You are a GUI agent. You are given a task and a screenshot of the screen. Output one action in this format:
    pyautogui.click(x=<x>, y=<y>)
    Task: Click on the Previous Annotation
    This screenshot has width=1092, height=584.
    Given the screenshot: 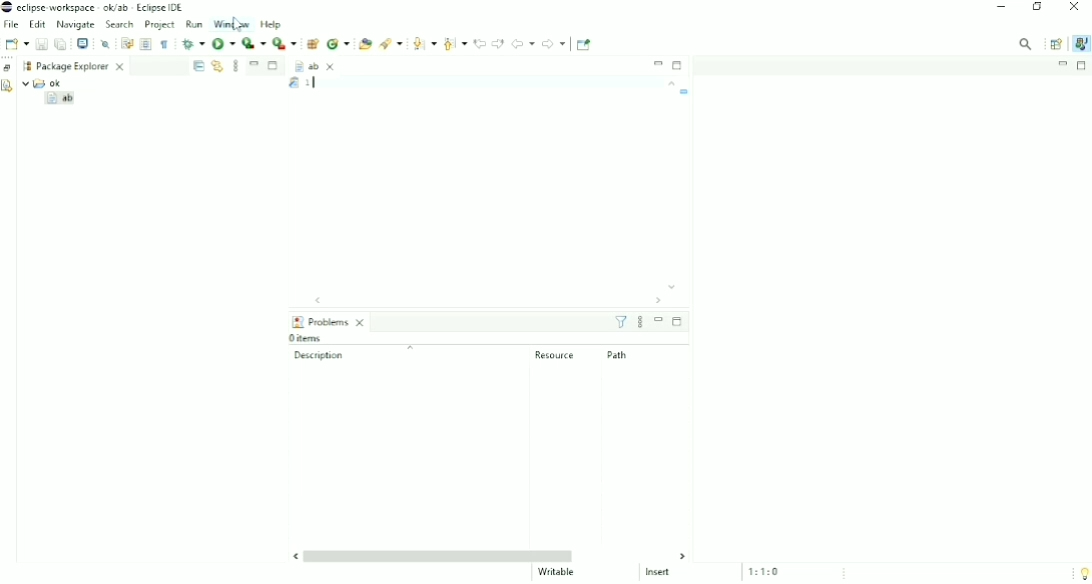 What is the action you would take?
    pyautogui.click(x=455, y=42)
    